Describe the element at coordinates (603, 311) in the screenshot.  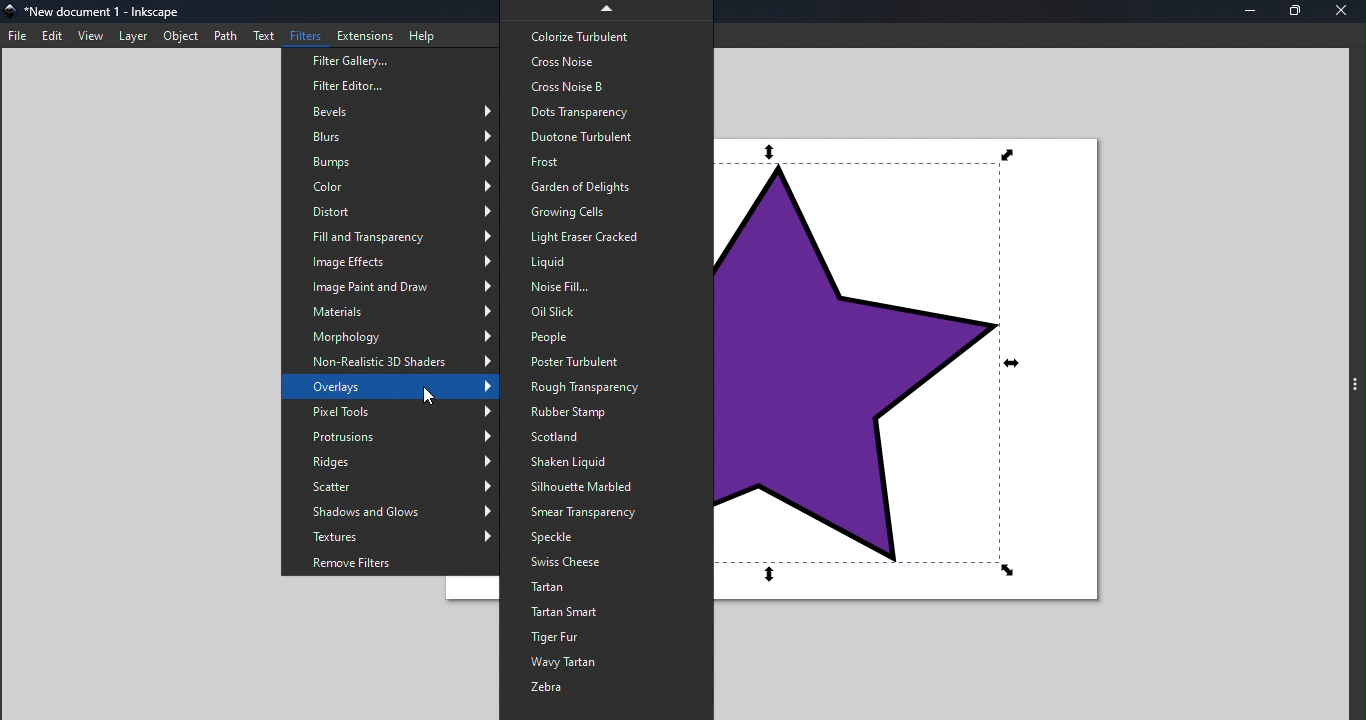
I see `Oil slick` at that location.